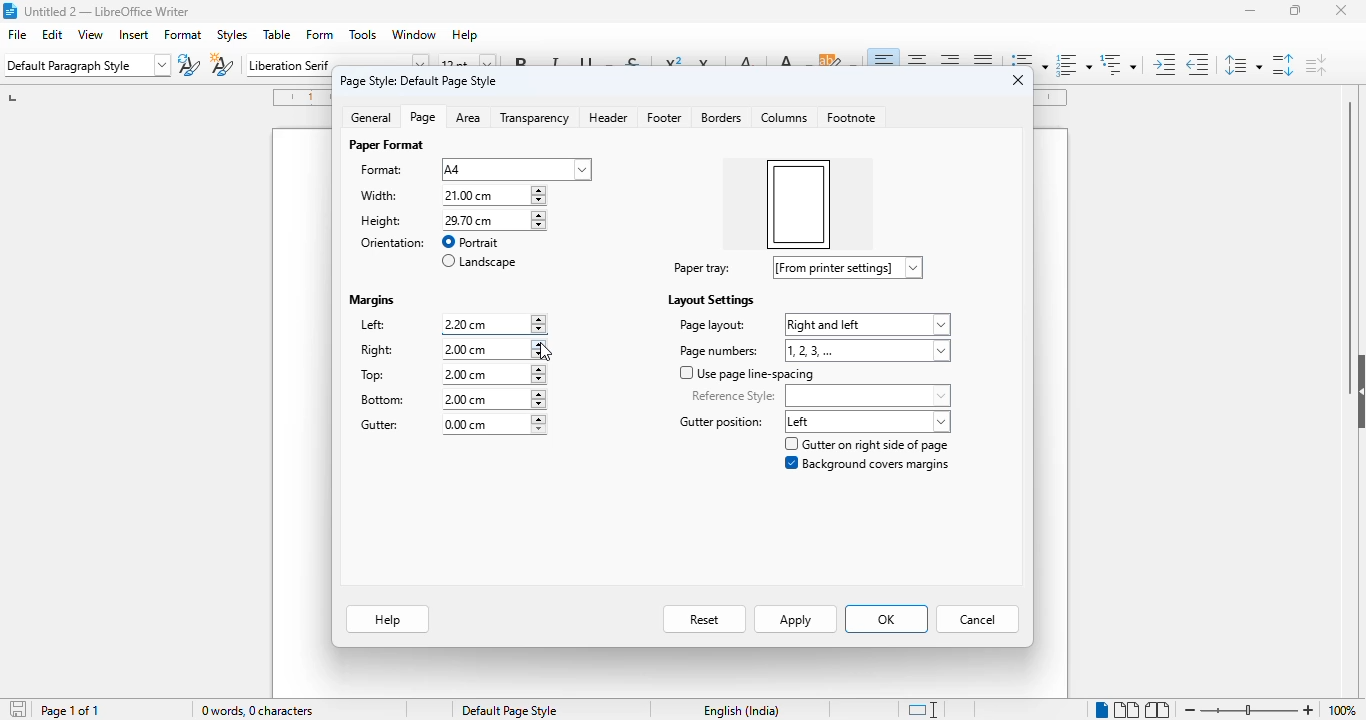 This screenshot has width=1366, height=720. Describe the element at coordinates (918, 59) in the screenshot. I see `align center` at that location.